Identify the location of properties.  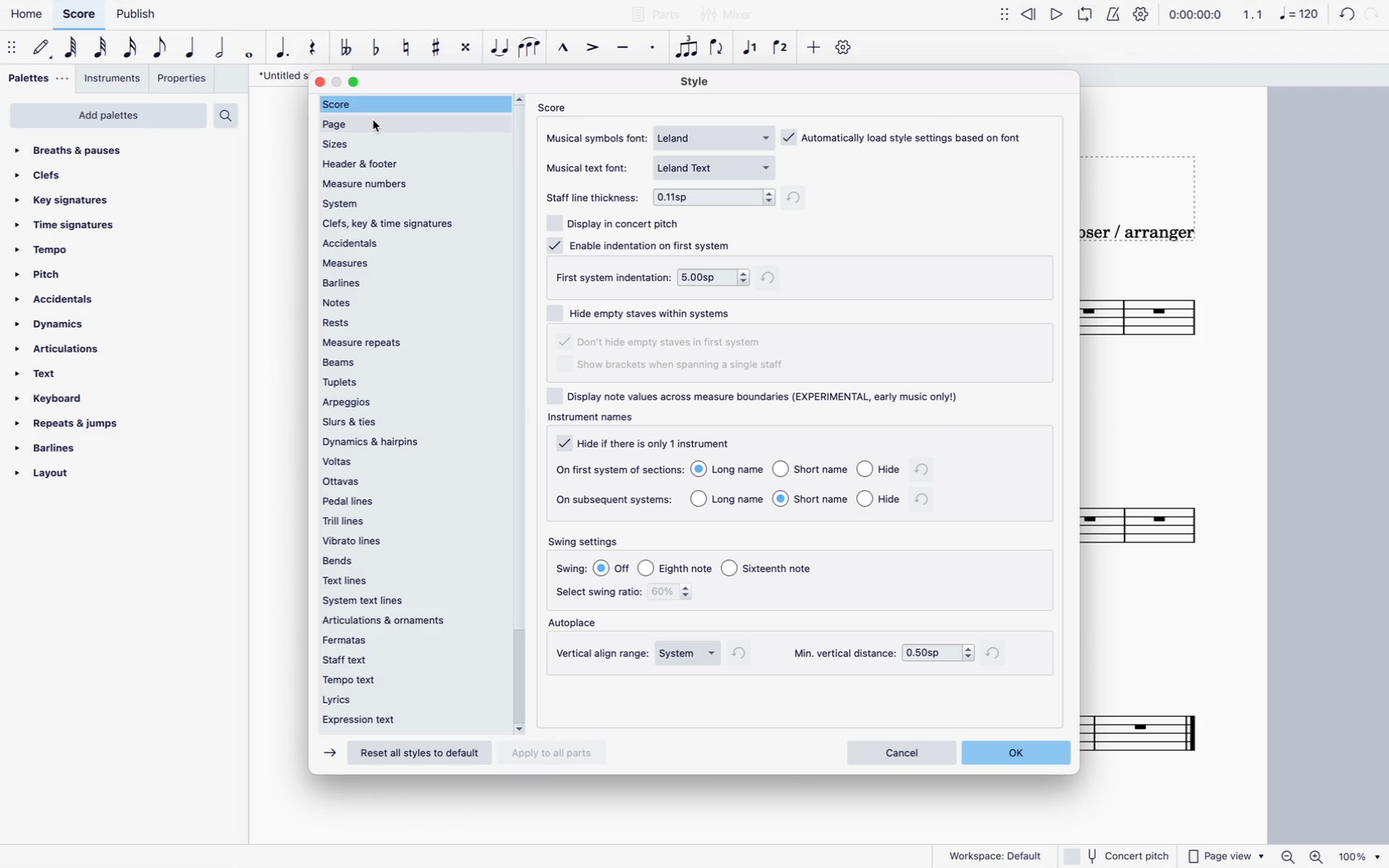
(184, 79).